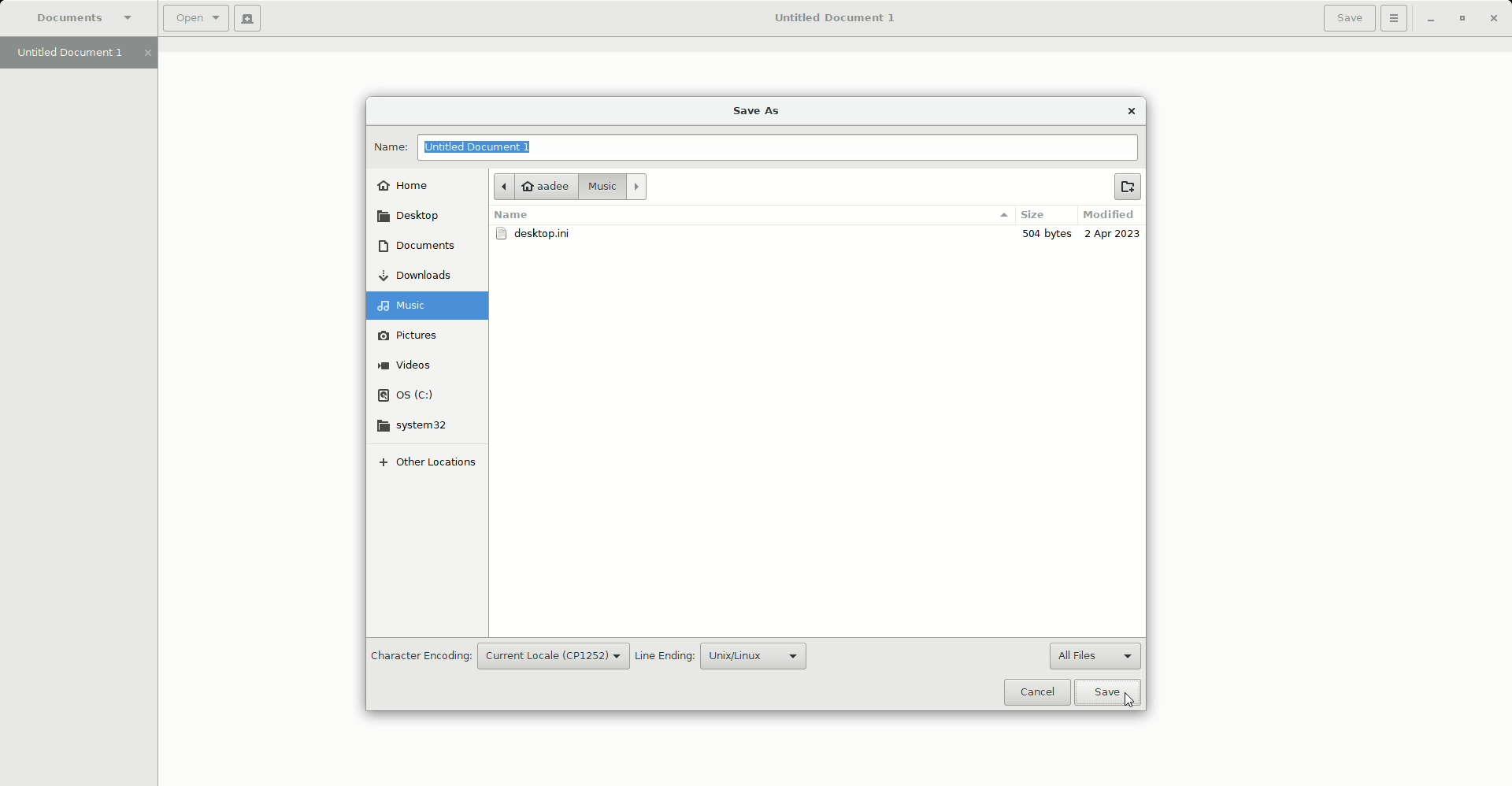 The height and width of the screenshot is (786, 1512). I want to click on aadee, so click(535, 185).